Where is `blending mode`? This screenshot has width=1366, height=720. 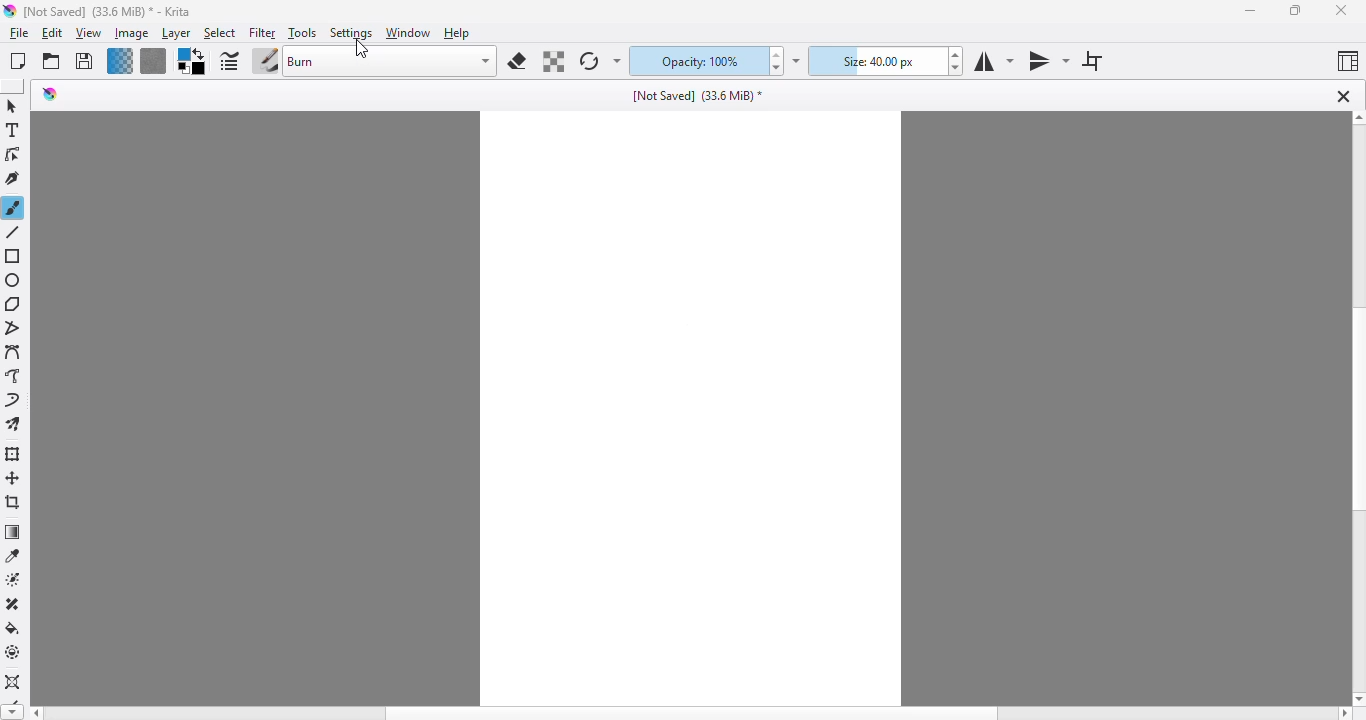 blending mode is located at coordinates (390, 61).